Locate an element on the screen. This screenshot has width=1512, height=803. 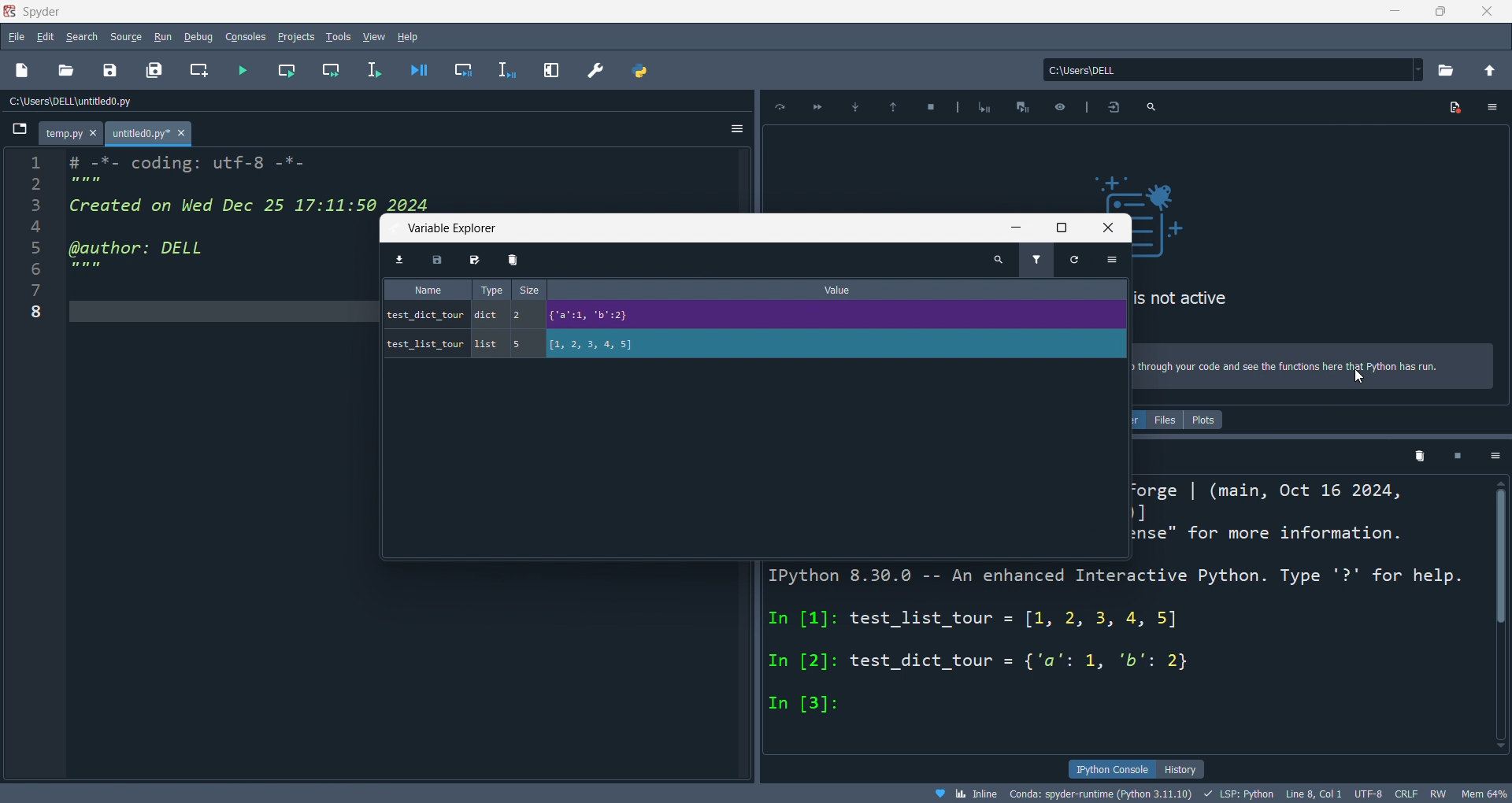
LSP:PYTHON is located at coordinates (1242, 794).